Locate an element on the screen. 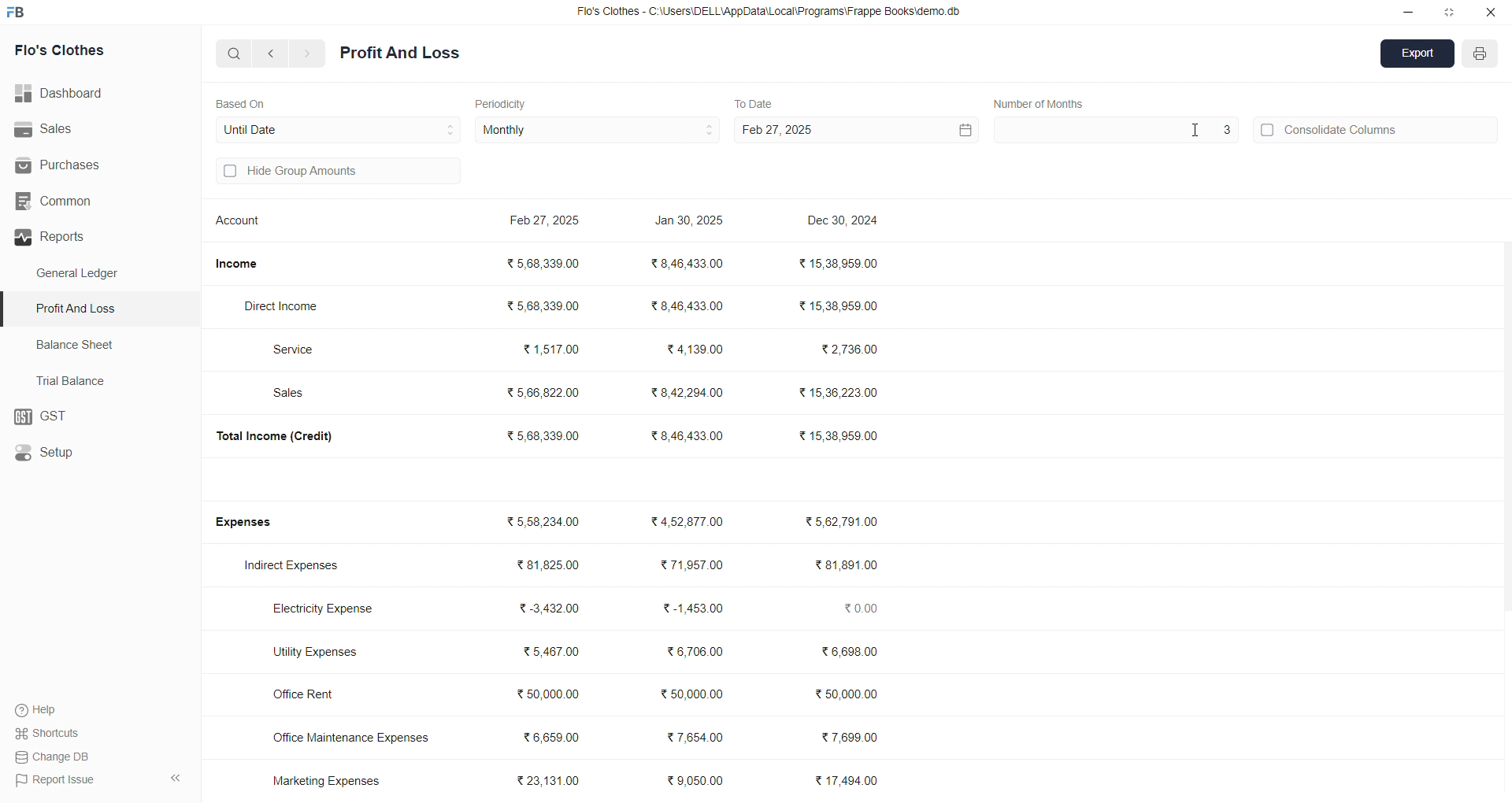 Image resolution: width=1512 pixels, height=803 pixels. ₹568,339.00 is located at coordinates (547, 265).